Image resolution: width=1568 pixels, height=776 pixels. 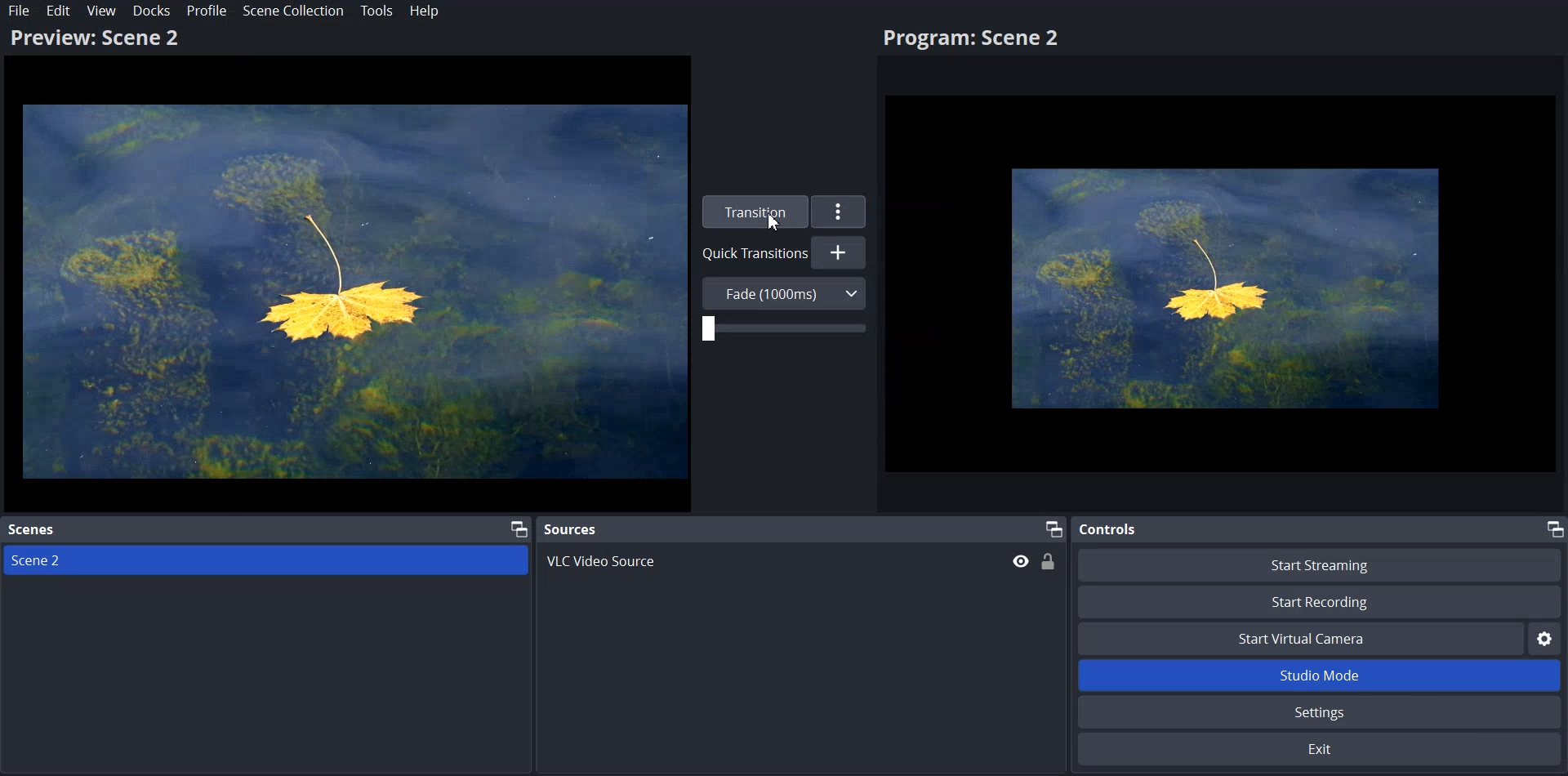 I want to click on Maximize, so click(x=509, y=528).